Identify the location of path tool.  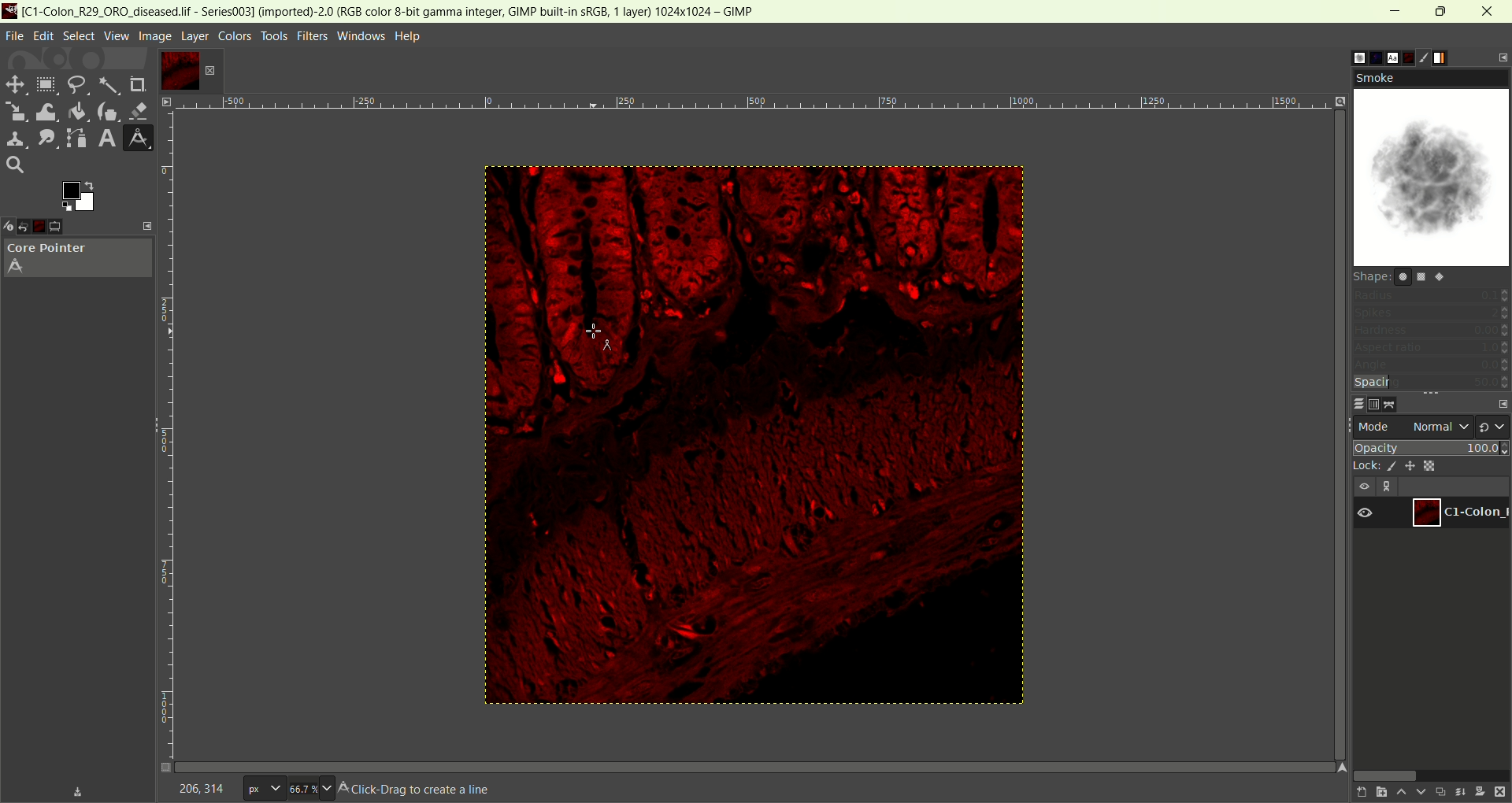
(73, 137).